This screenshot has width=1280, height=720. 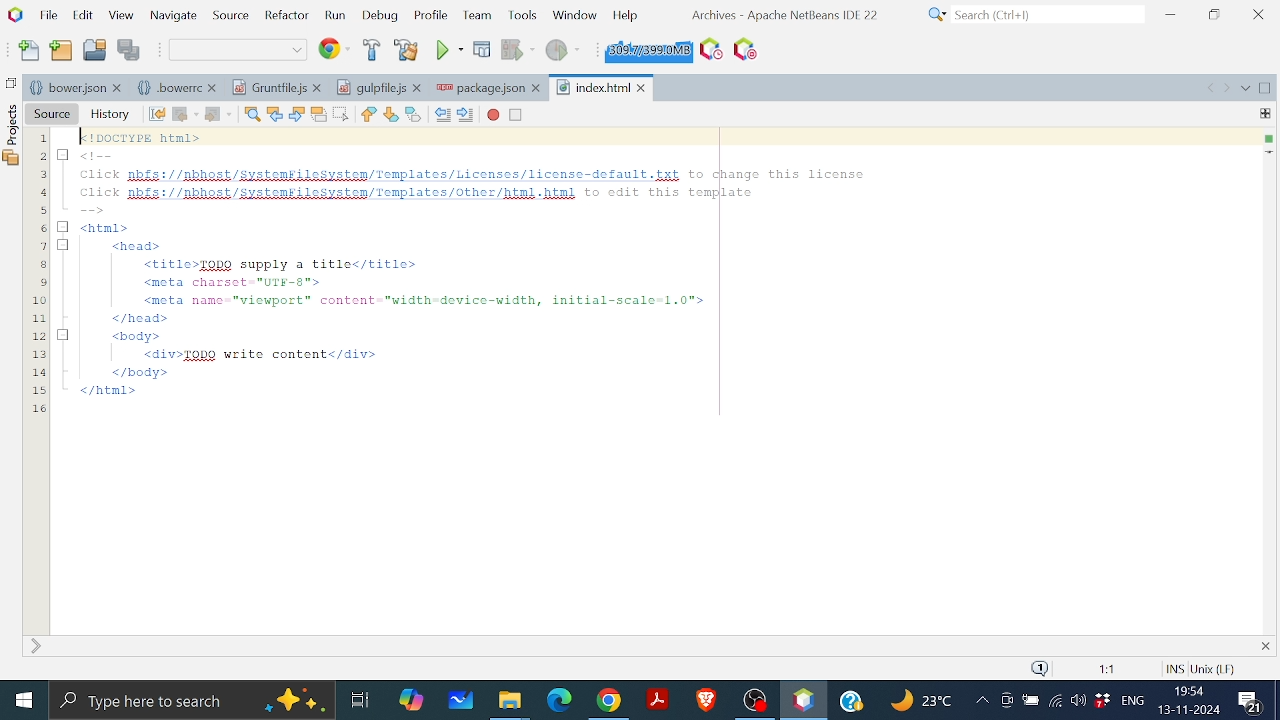 What do you see at coordinates (46, 15) in the screenshot?
I see `File` at bounding box center [46, 15].